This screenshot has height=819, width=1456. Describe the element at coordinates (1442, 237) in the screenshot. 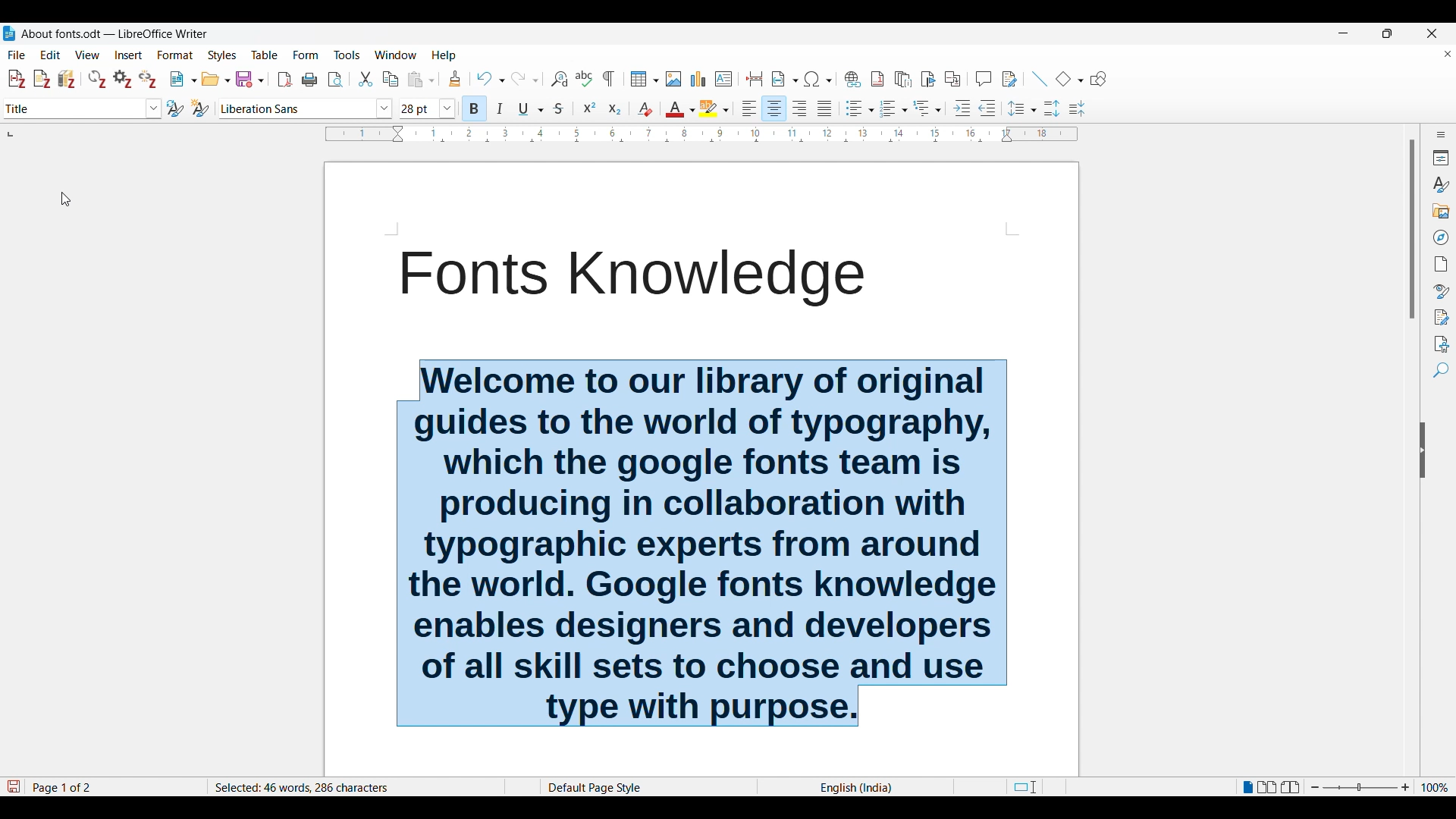

I see `Navigator` at that location.